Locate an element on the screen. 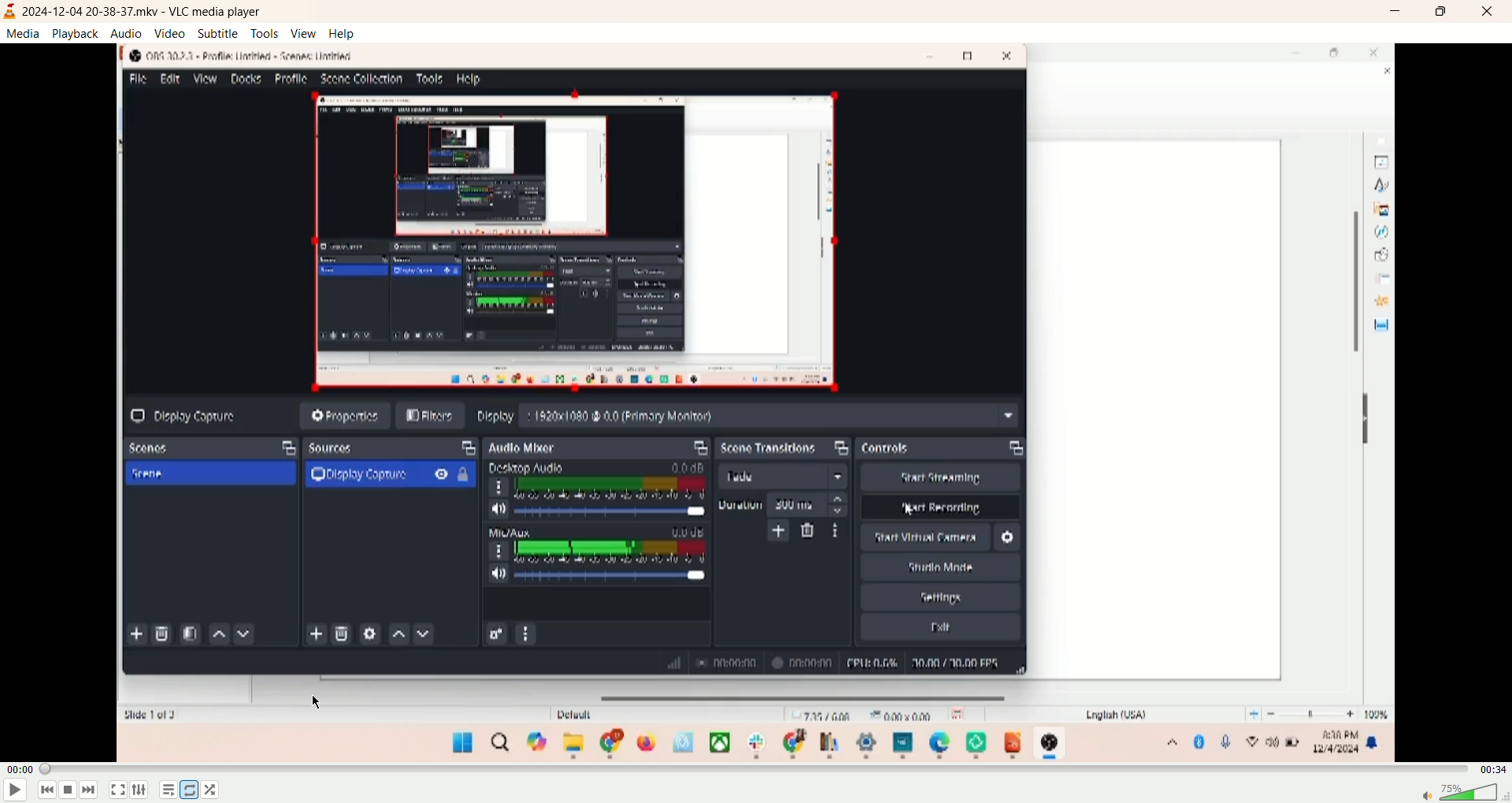 The image size is (1512, 803). view is located at coordinates (306, 34).